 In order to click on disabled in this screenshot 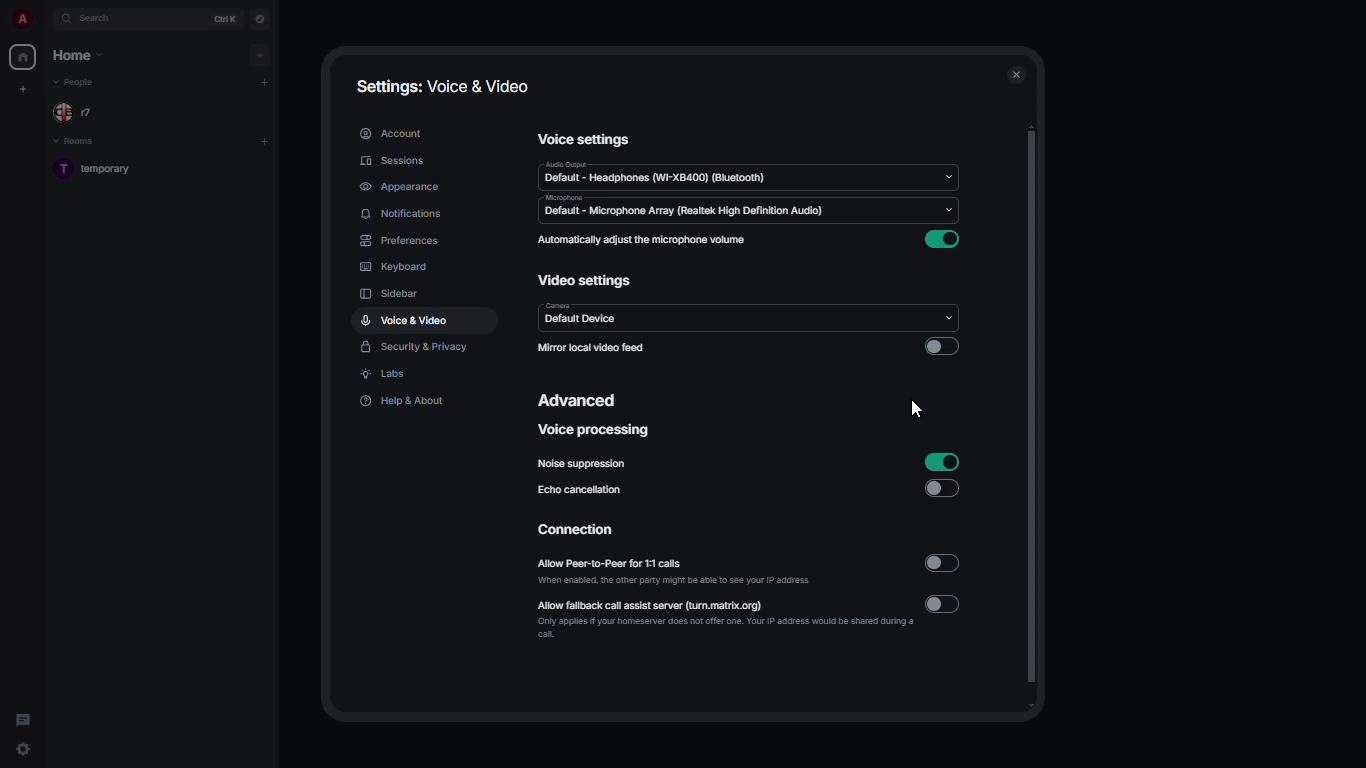, I will do `click(942, 489)`.